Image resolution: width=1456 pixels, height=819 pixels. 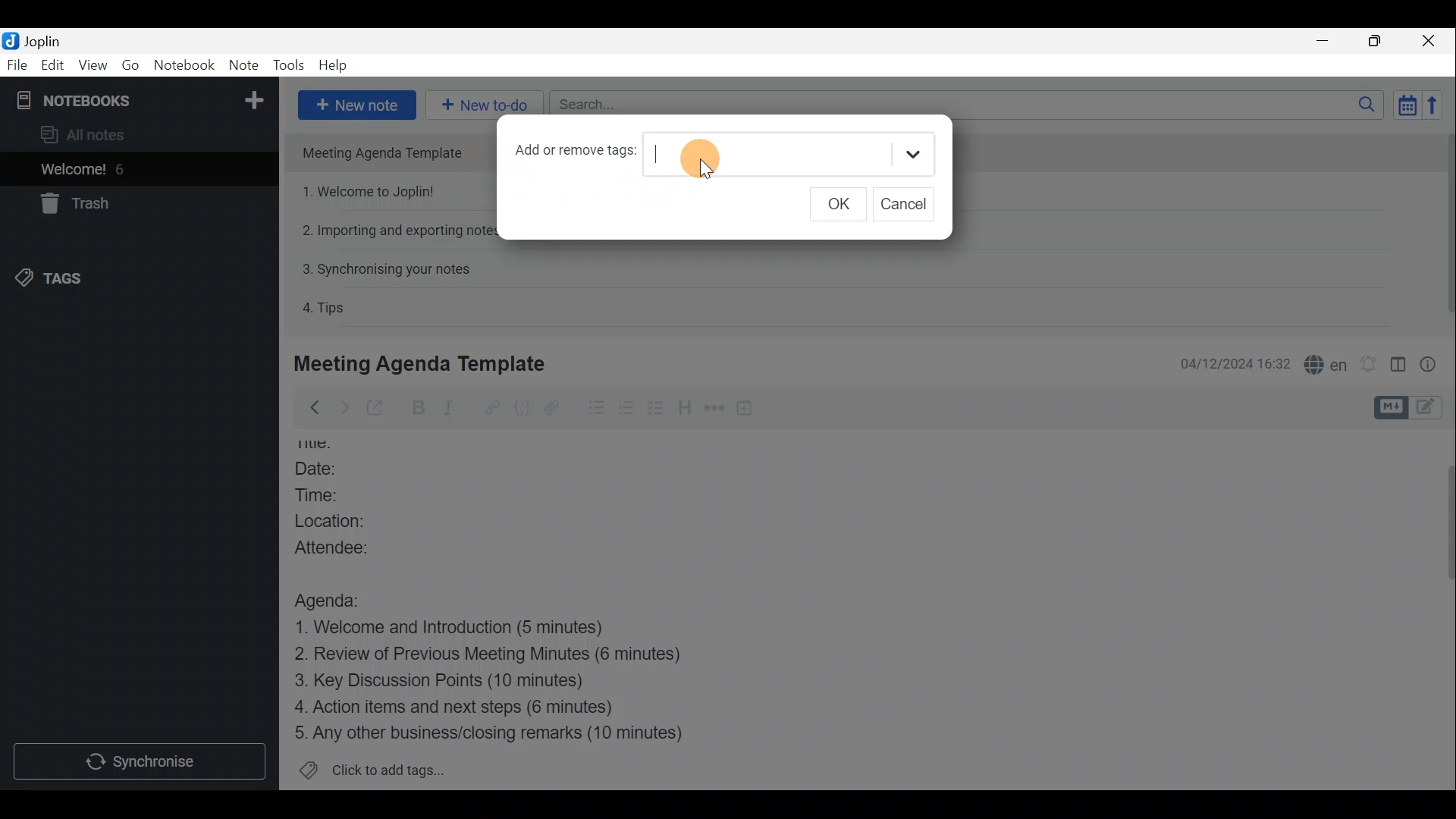 I want to click on Welcome!, so click(x=74, y=171).